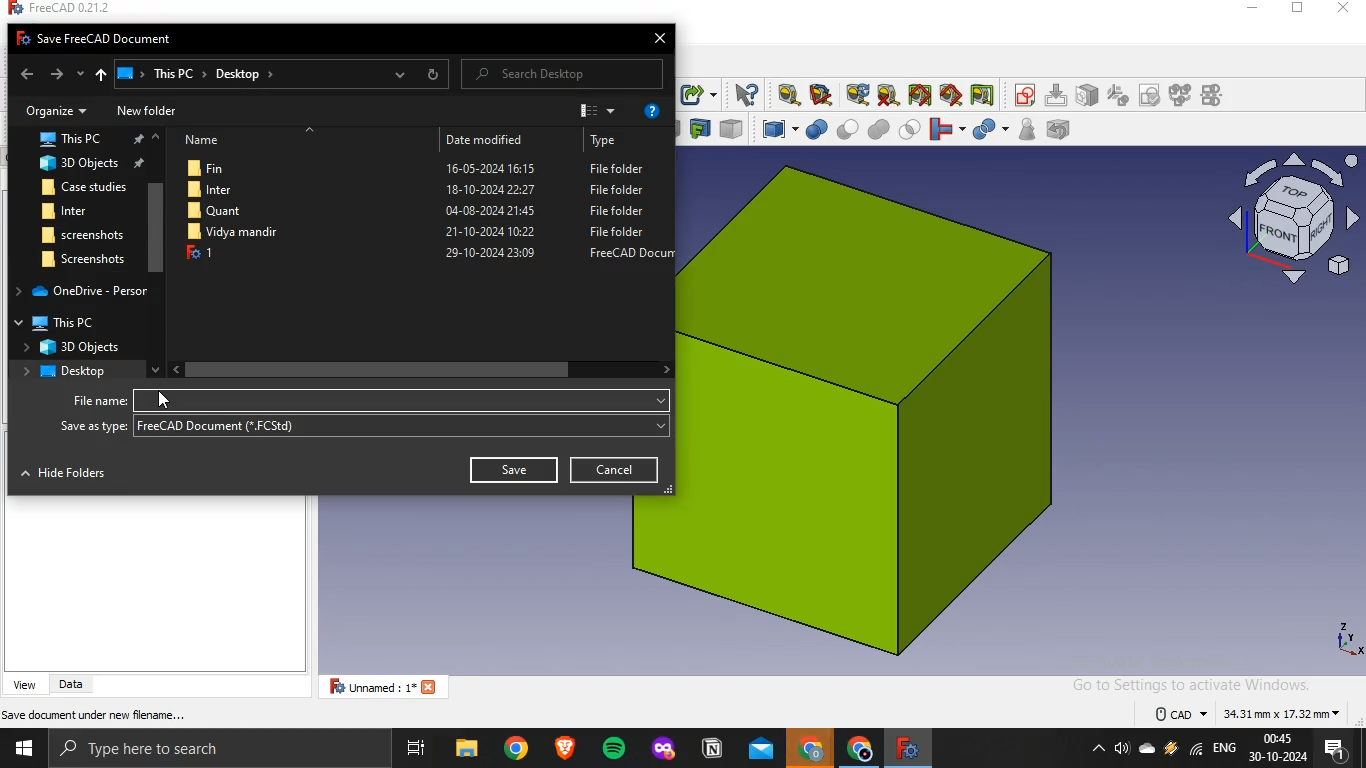 This screenshot has width=1366, height=768. Describe the element at coordinates (697, 93) in the screenshot. I see `make sublink` at that location.